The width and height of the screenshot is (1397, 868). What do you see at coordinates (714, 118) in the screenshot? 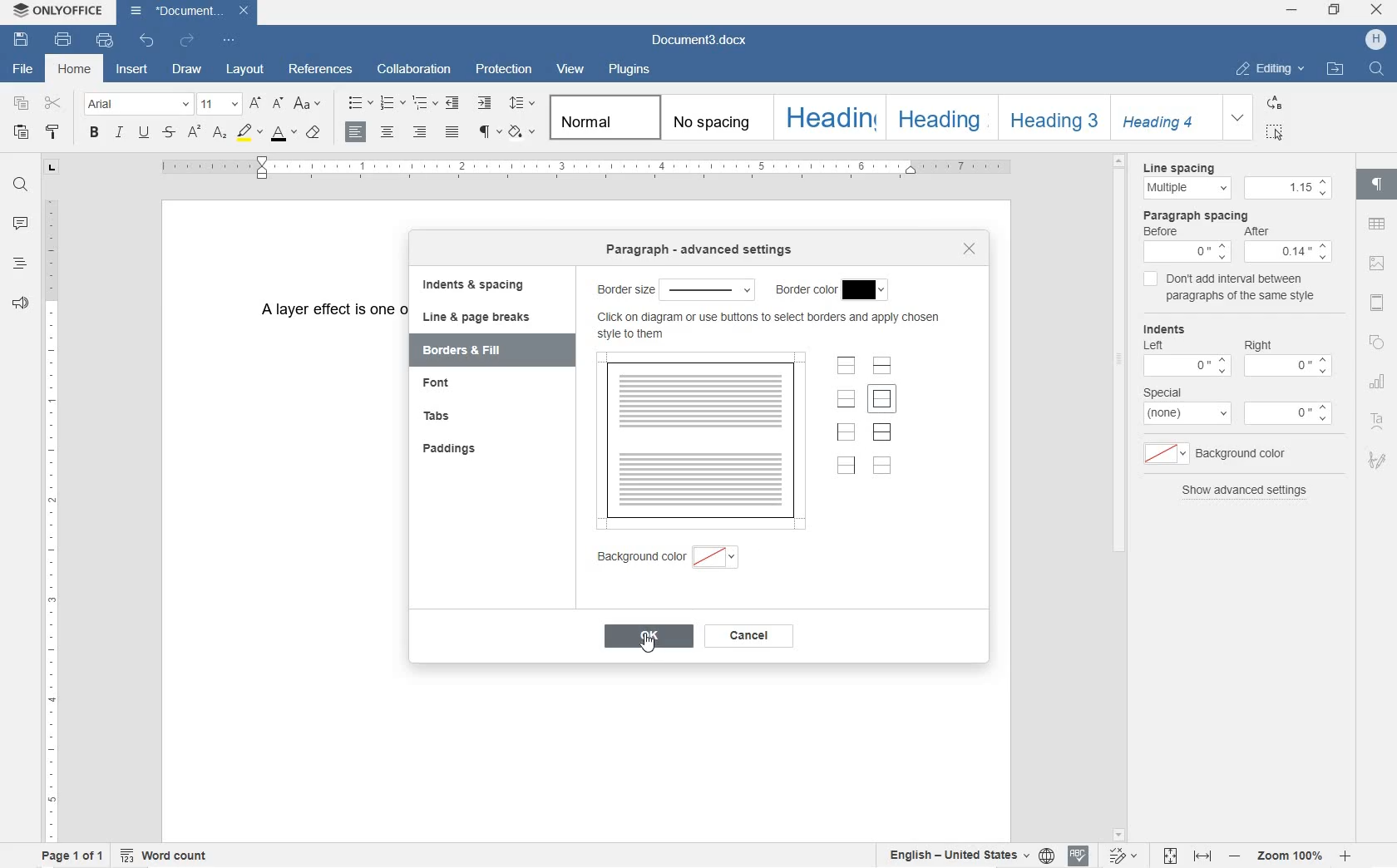
I see `NO SPACING` at bounding box center [714, 118].